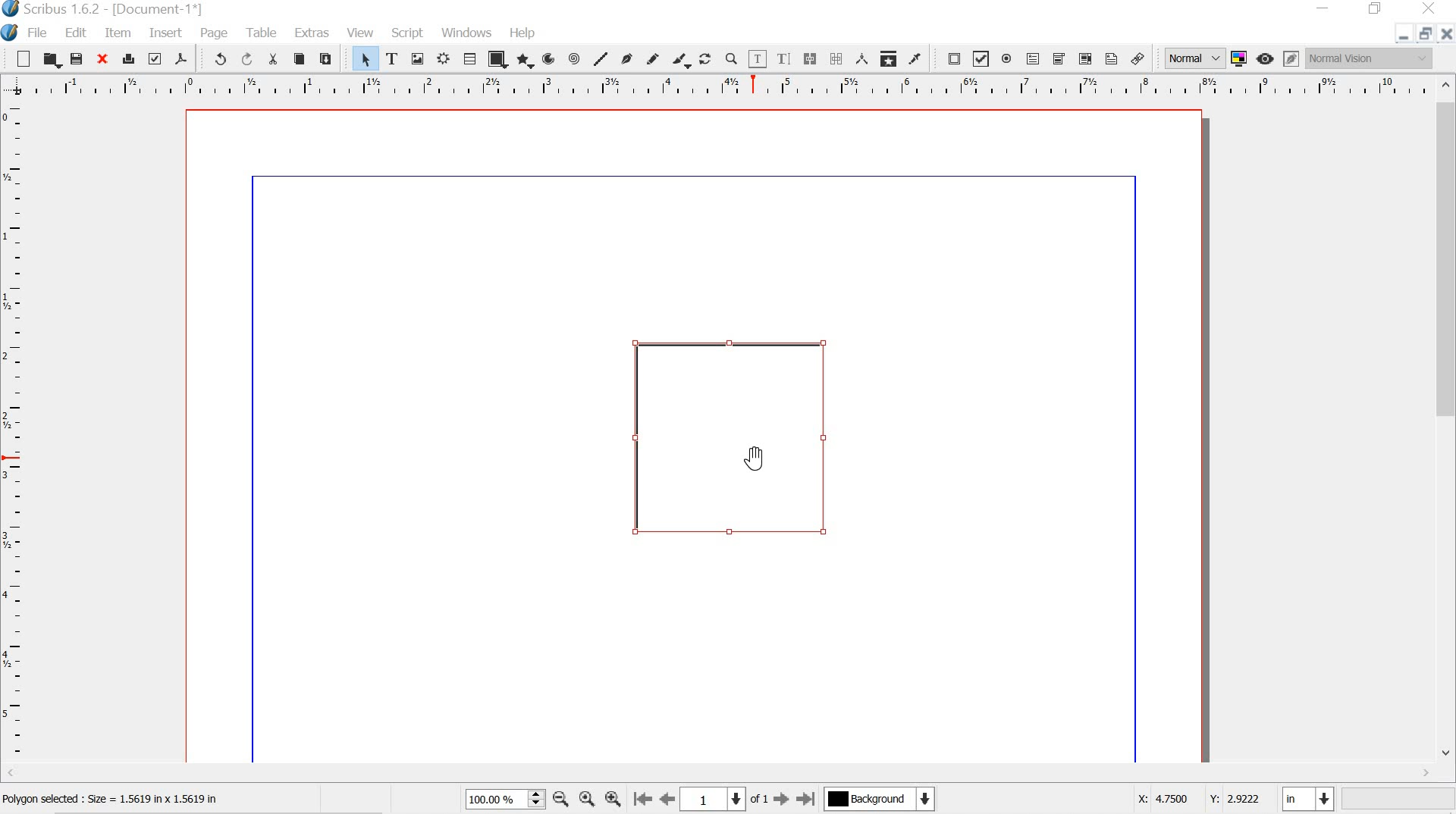  I want to click on go to previous page, so click(669, 800).